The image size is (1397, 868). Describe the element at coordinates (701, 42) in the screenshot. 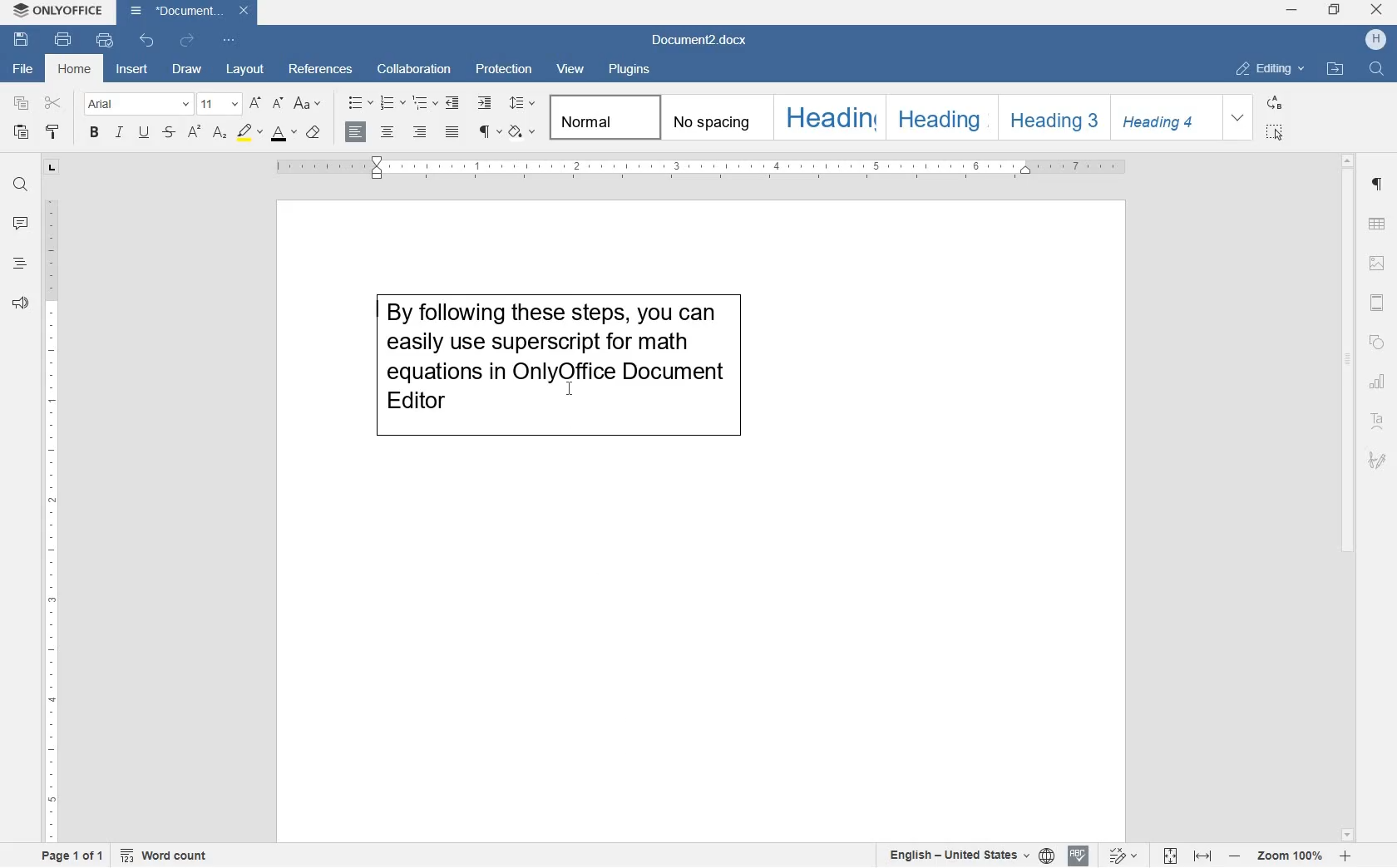

I see `Document2.docx` at that location.